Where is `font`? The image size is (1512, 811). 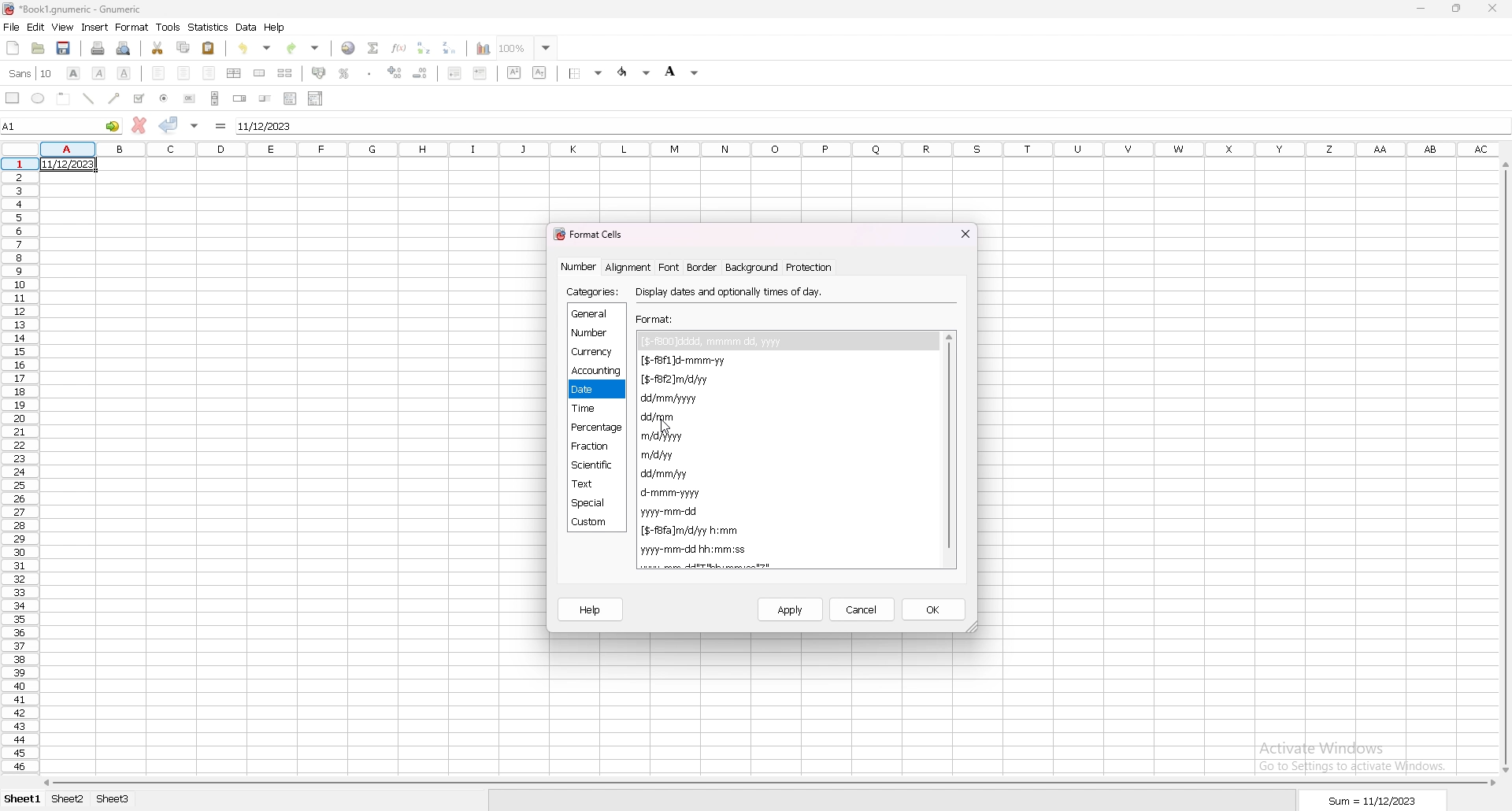
font is located at coordinates (670, 267).